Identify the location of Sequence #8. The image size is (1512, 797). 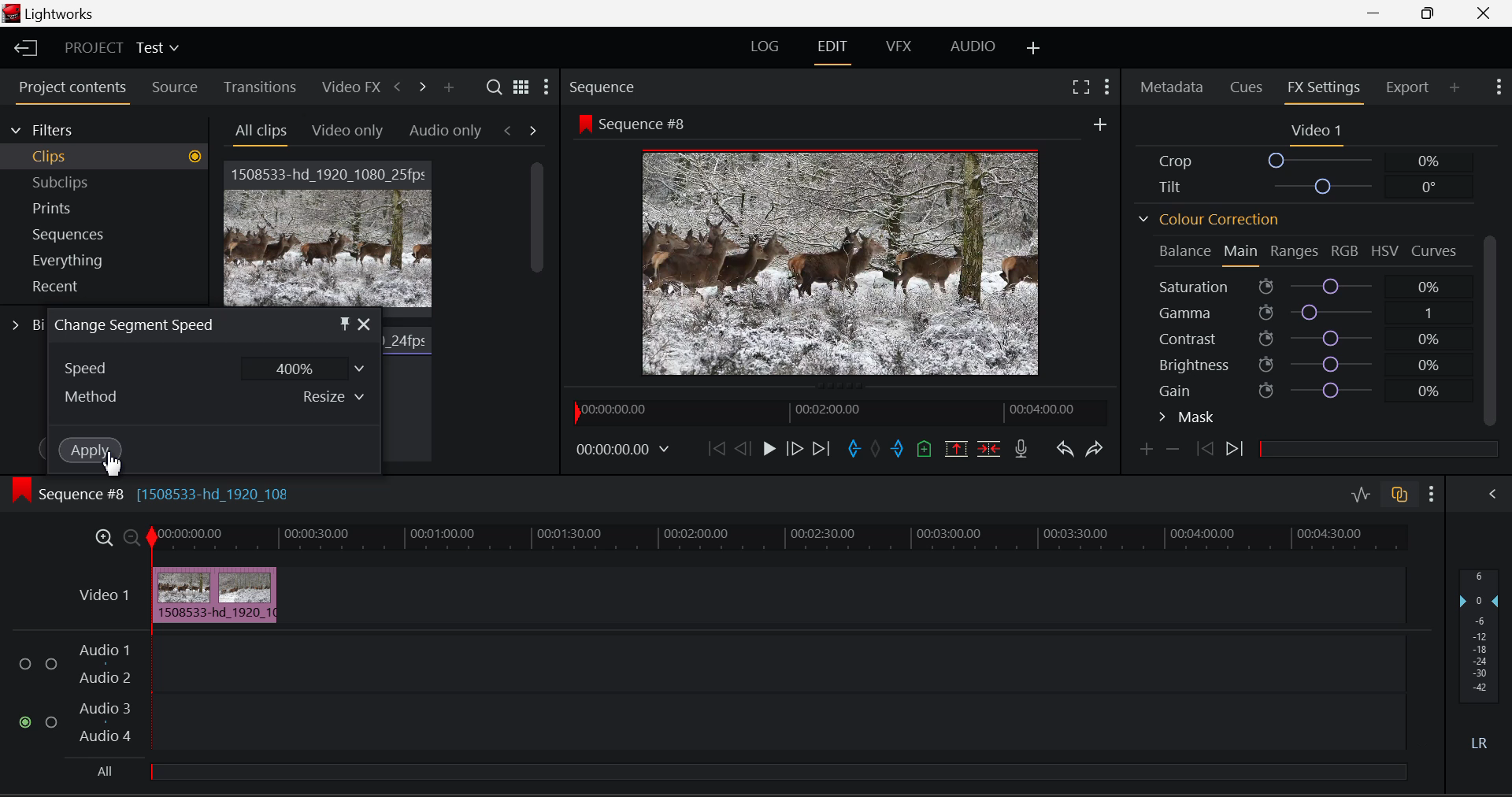
(632, 122).